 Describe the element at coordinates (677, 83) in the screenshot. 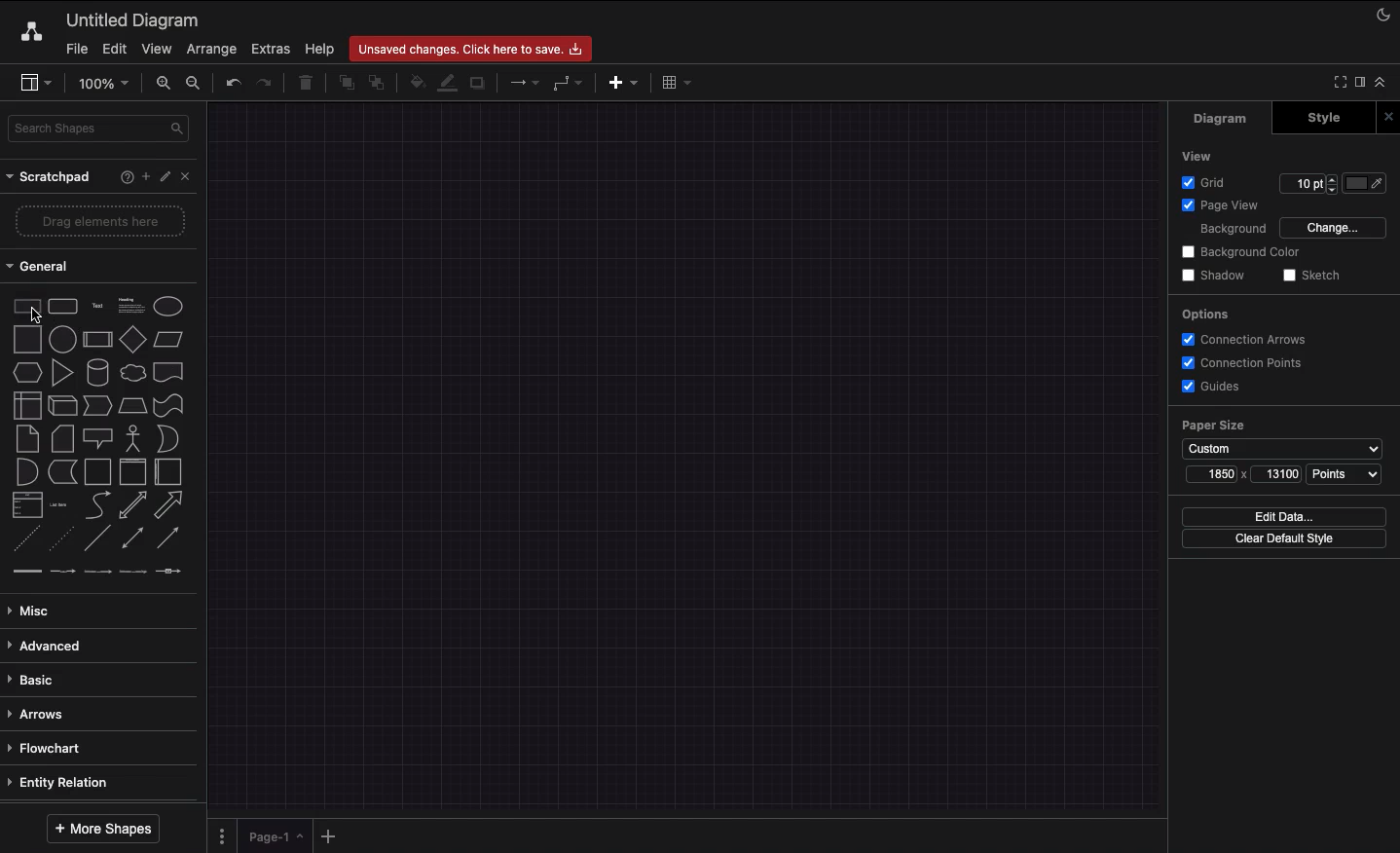

I see `Table` at that location.